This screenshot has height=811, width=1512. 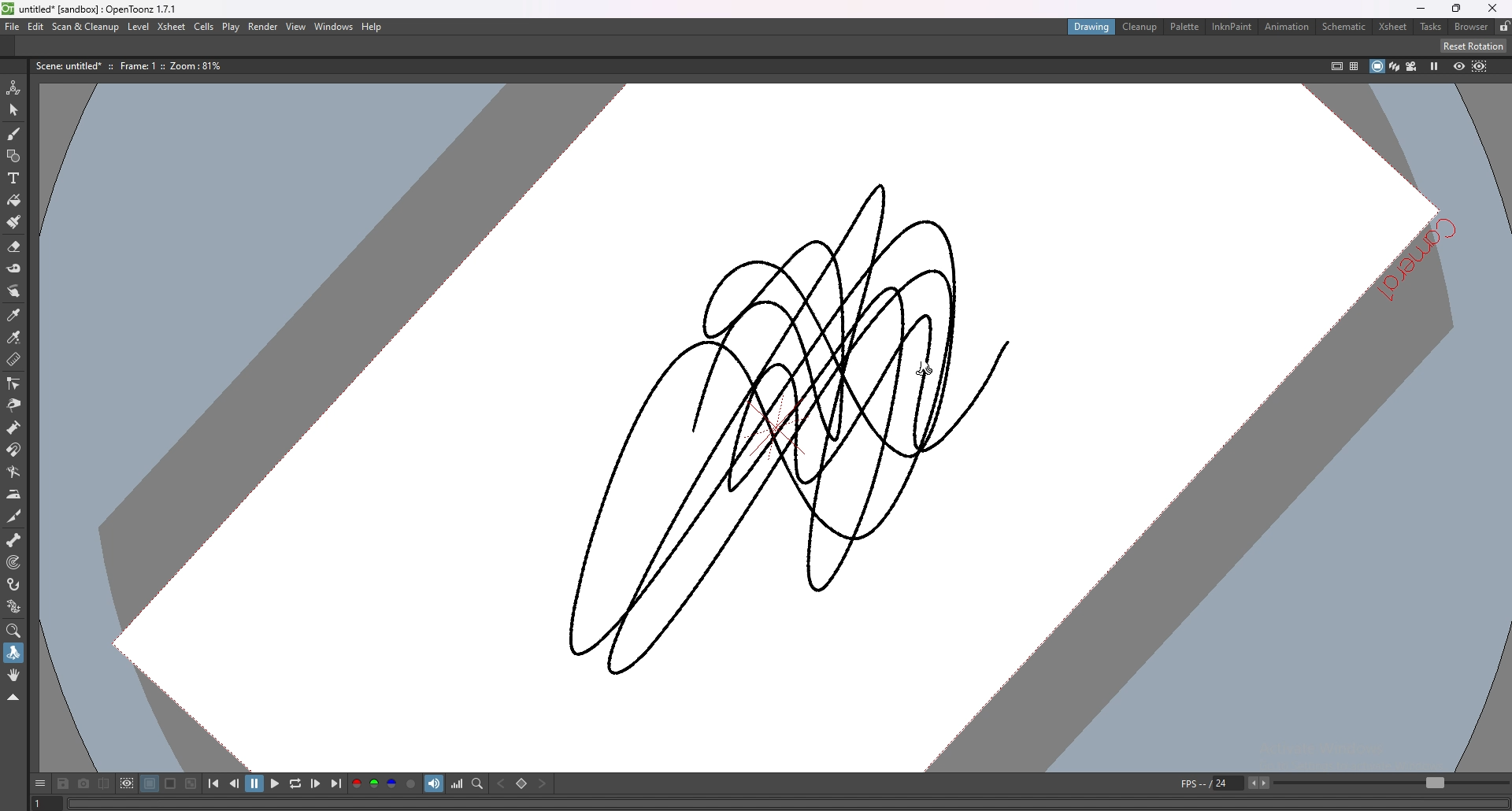 What do you see at coordinates (13, 383) in the screenshot?
I see `control point editor` at bounding box center [13, 383].